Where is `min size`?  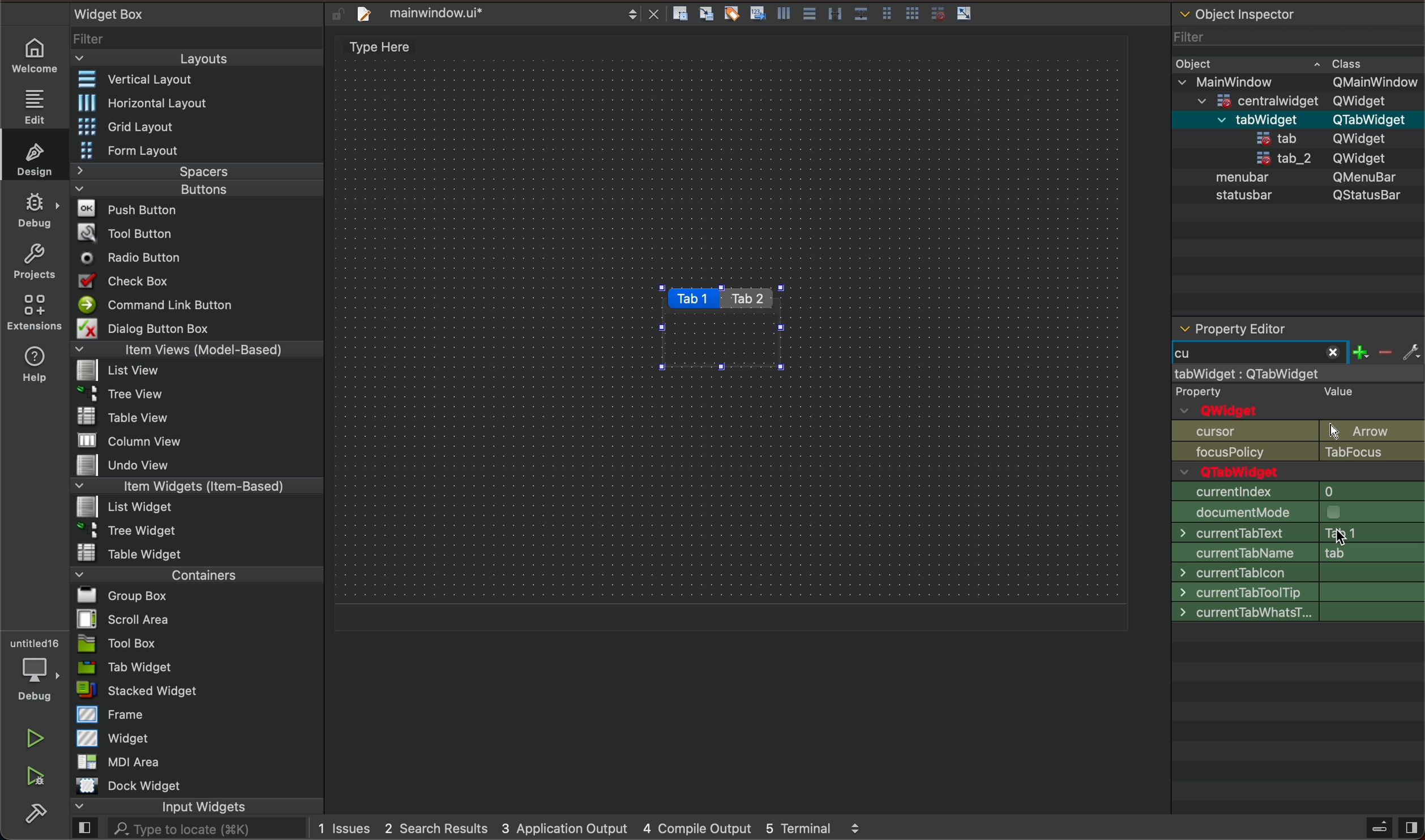
min size is located at coordinates (1299, 532).